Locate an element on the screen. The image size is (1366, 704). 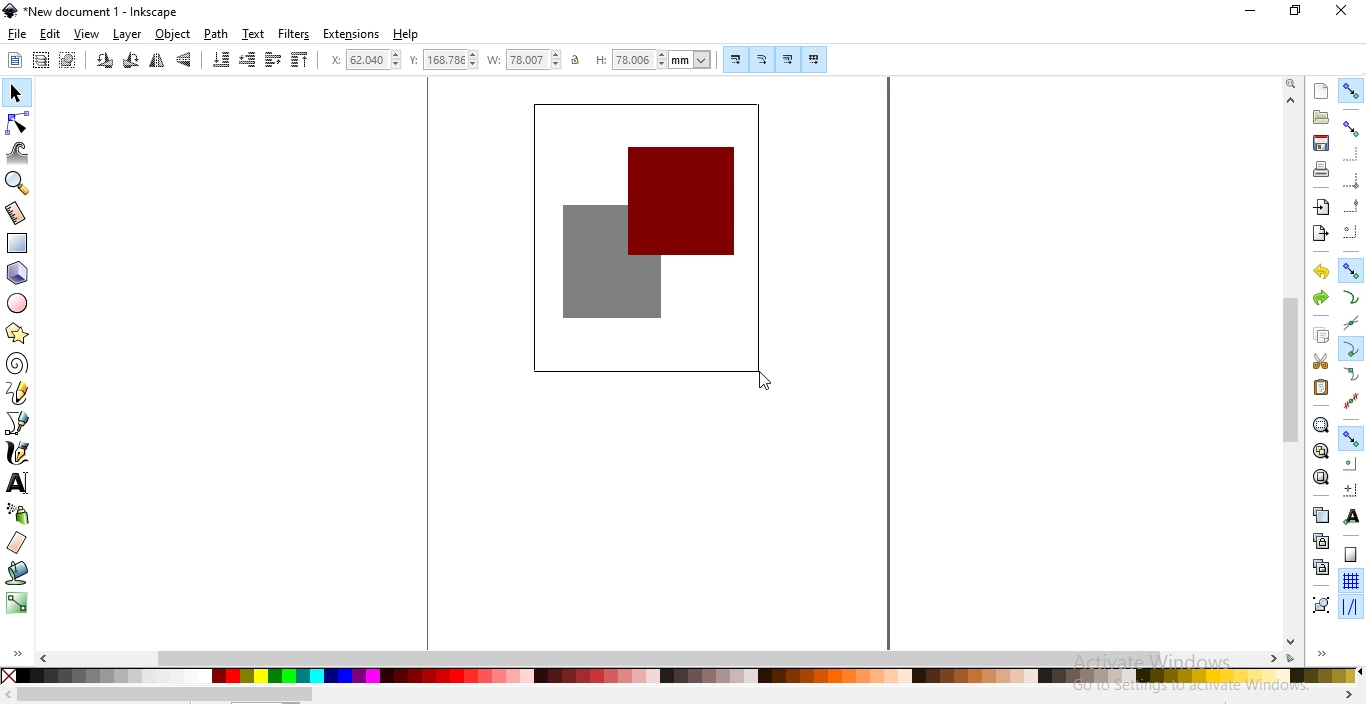
snap smooth nodes is located at coordinates (1352, 375).